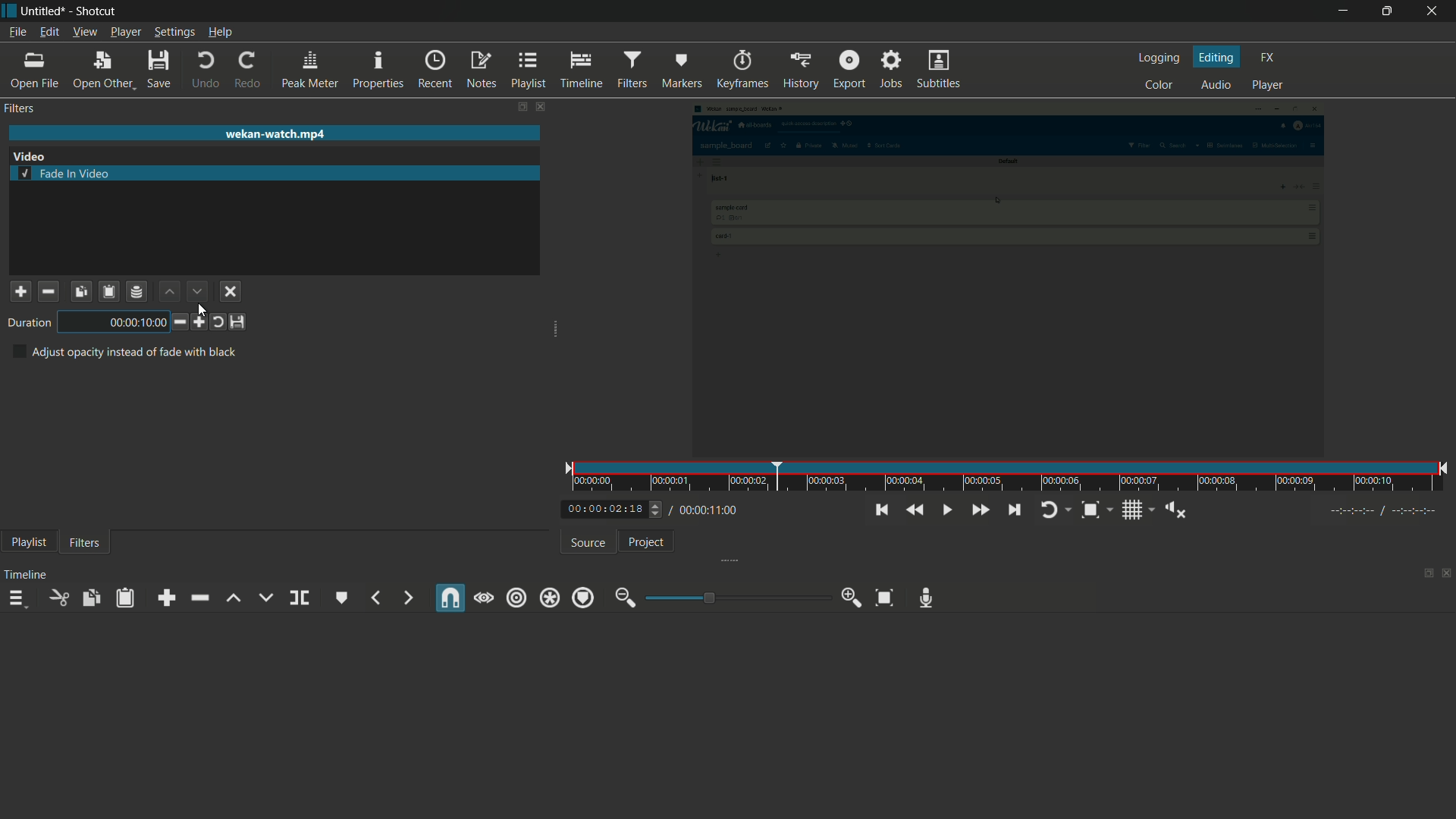 The image size is (1456, 819). Describe the element at coordinates (890, 70) in the screenshot. I see `jobs` at that location.